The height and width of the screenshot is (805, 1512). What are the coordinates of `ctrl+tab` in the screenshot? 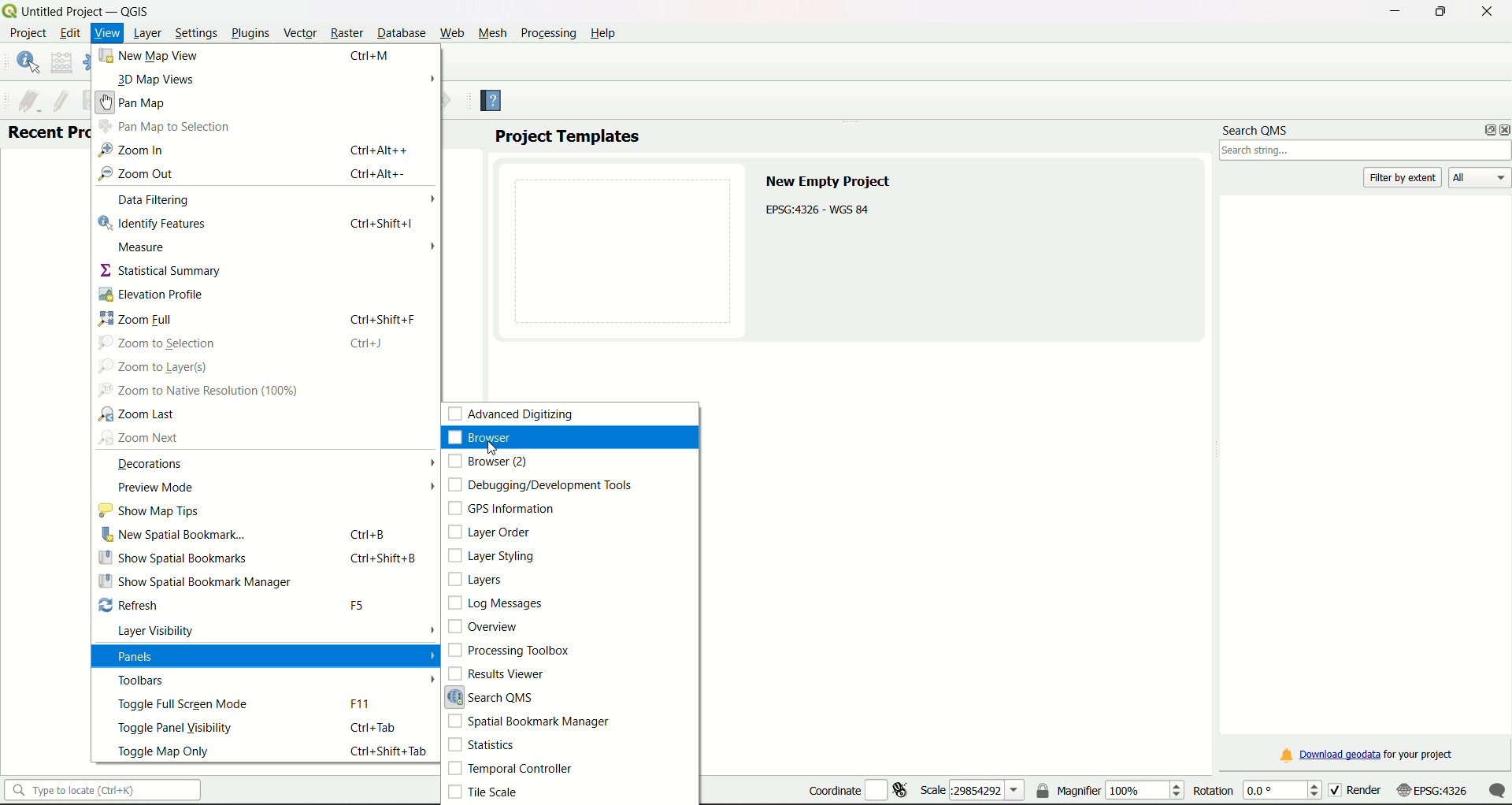 It's located at (376, 728).